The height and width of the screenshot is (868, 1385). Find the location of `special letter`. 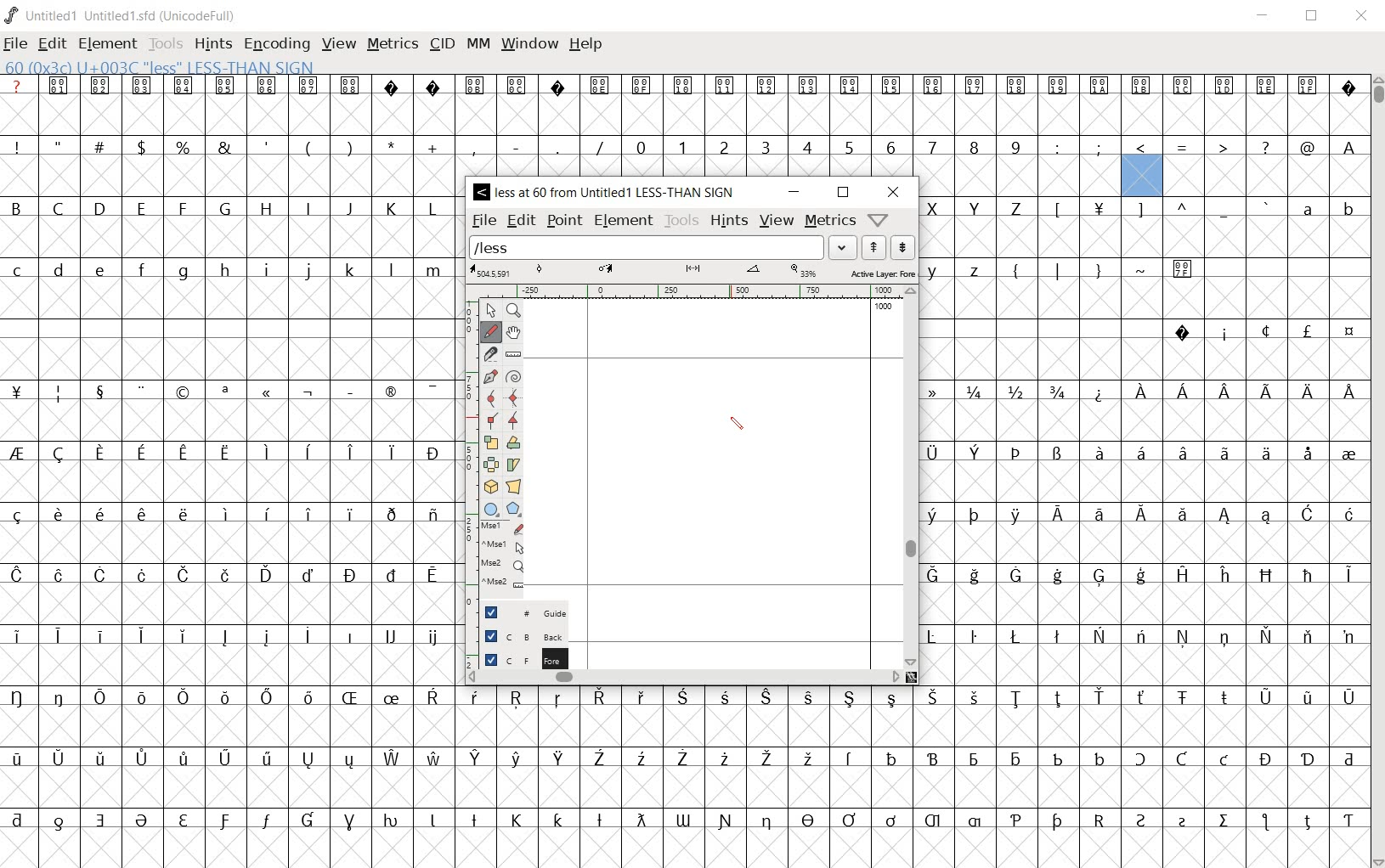

special letter is located at coordinates (1144, 634).